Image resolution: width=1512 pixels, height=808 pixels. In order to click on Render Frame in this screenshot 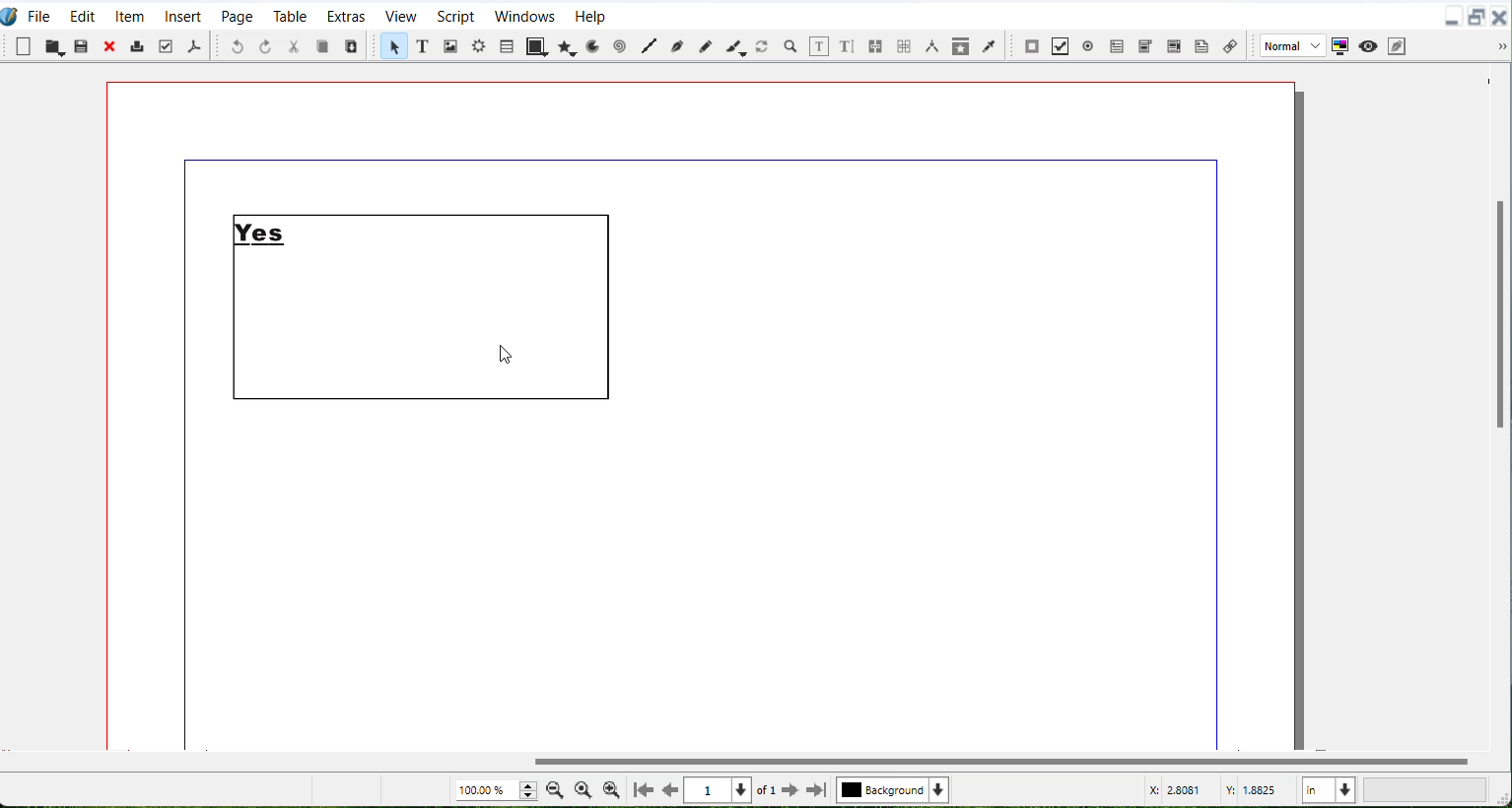, I will do `click(479, 48)`.